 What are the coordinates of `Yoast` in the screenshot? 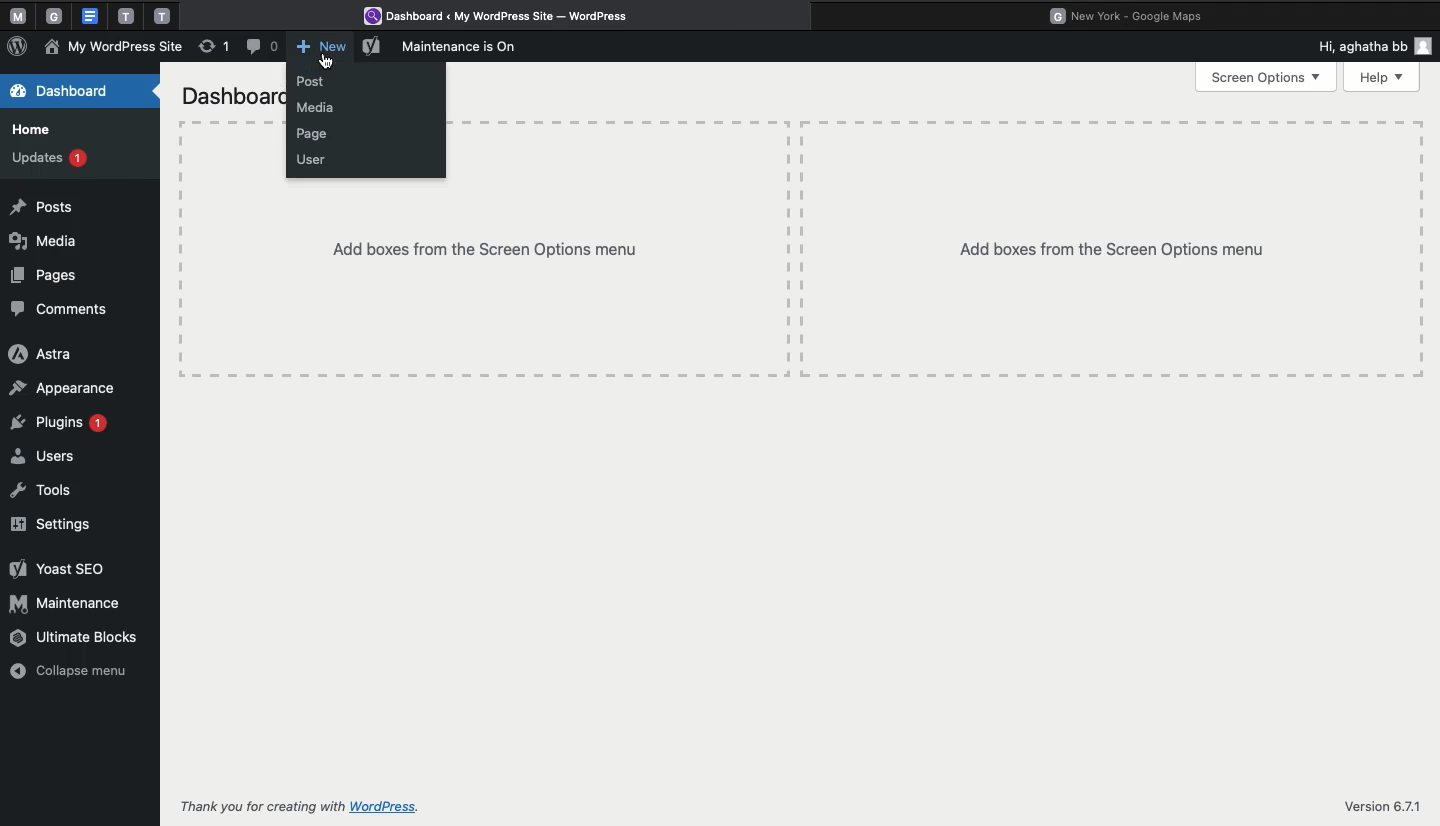 It's located at (54, 571).